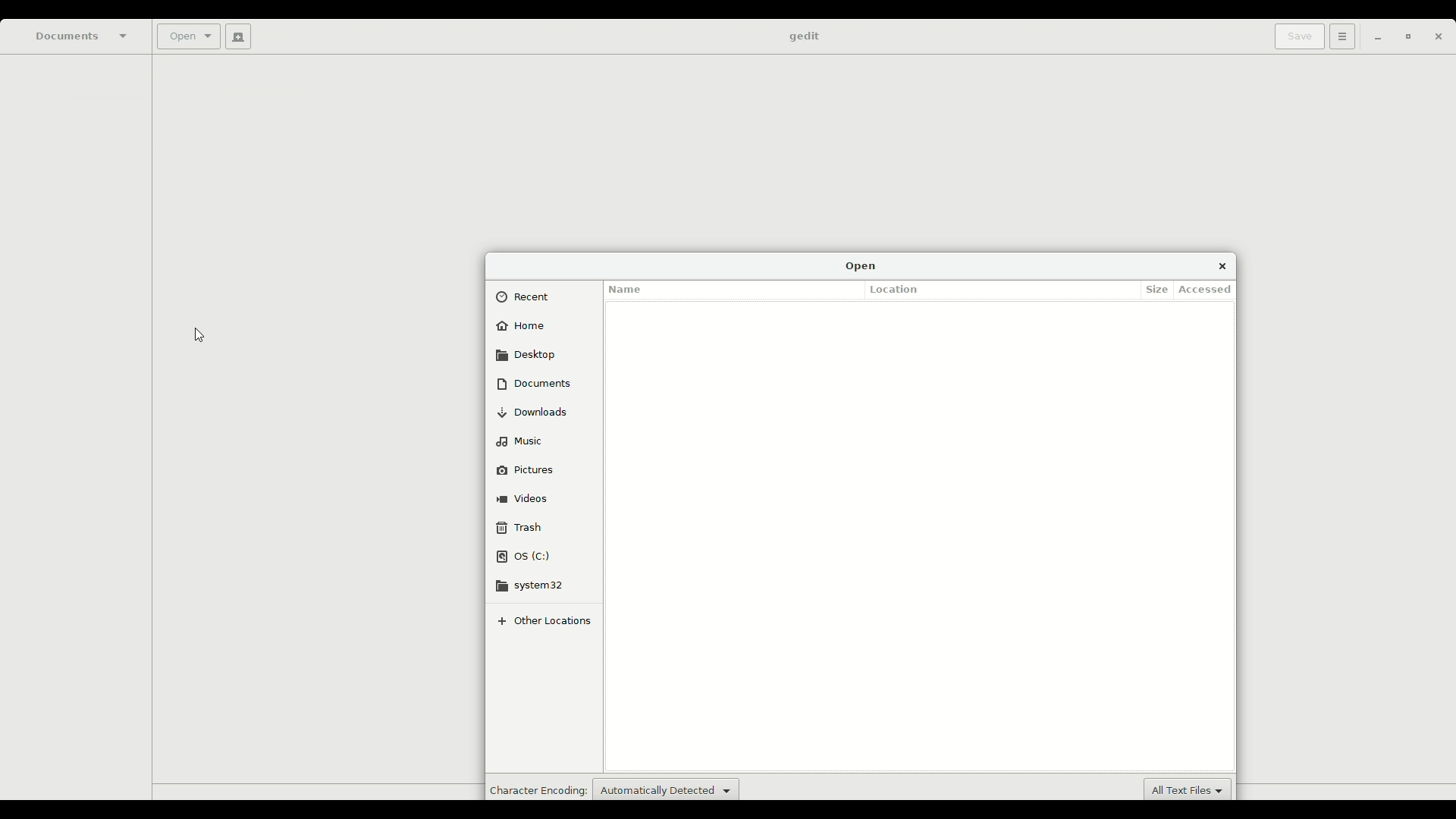 The width and height of the screenshot is (1456, 819). Describe the element at coordinates (1438, 39) in the screenshot. I see `Close` at that location.